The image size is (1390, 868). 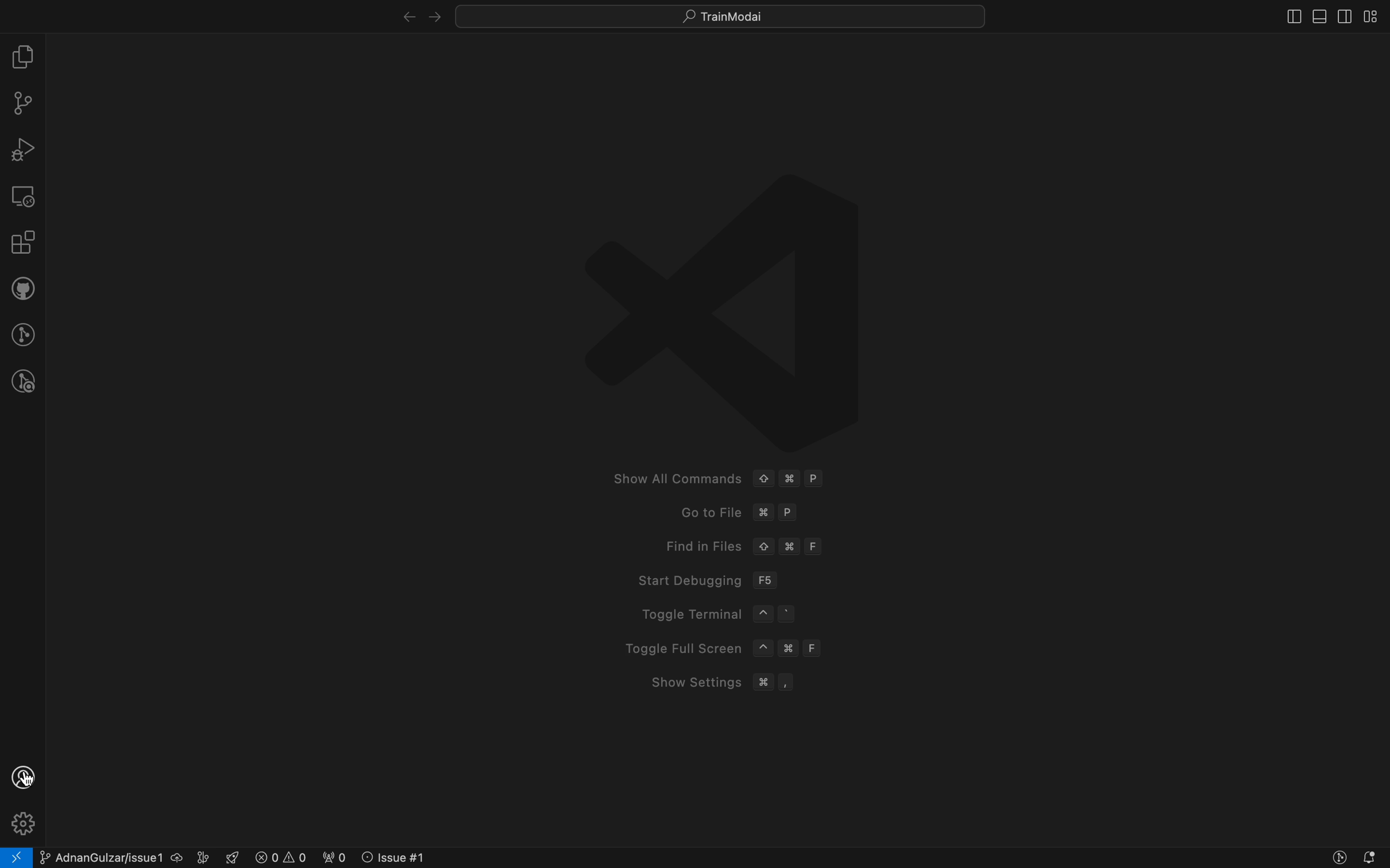 I want to click on debugger, so click(x=23, y=149).